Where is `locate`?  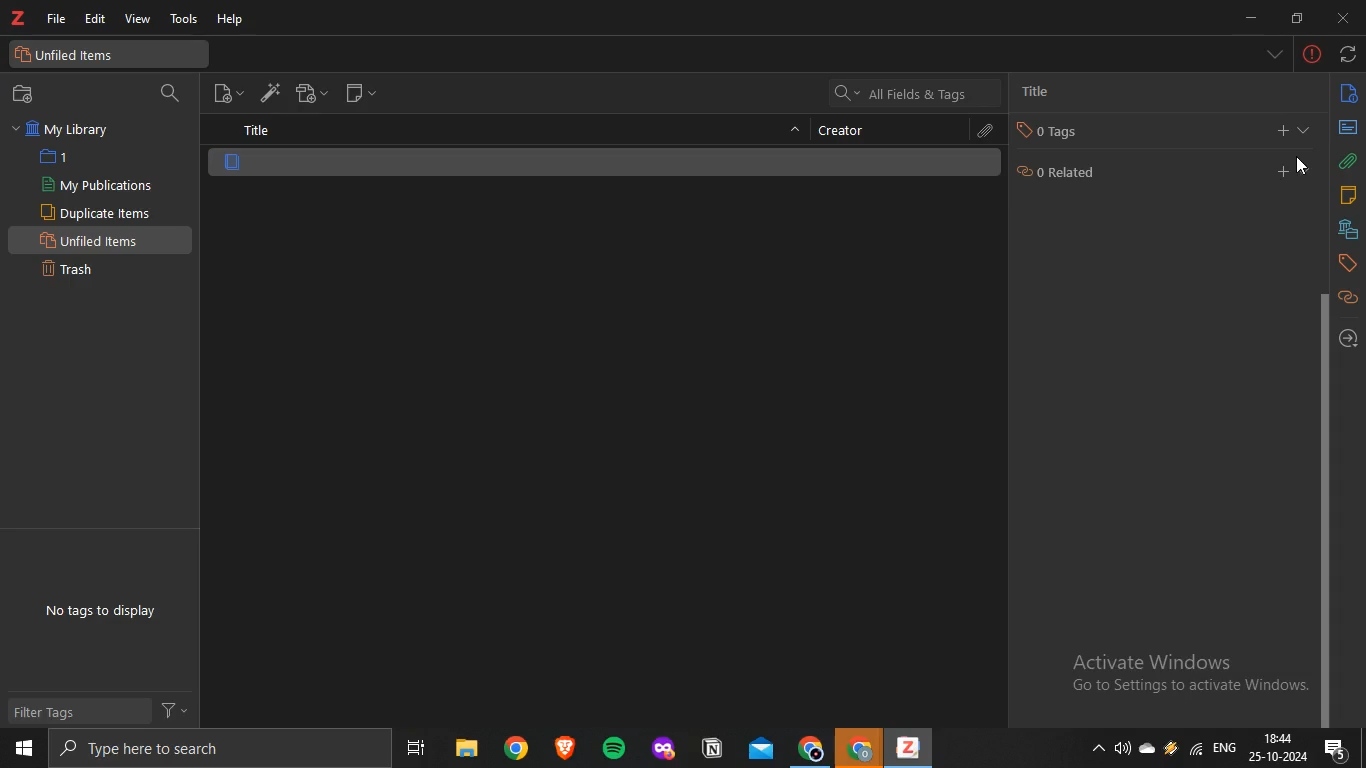
locate is located at coordinates (1348, 337).